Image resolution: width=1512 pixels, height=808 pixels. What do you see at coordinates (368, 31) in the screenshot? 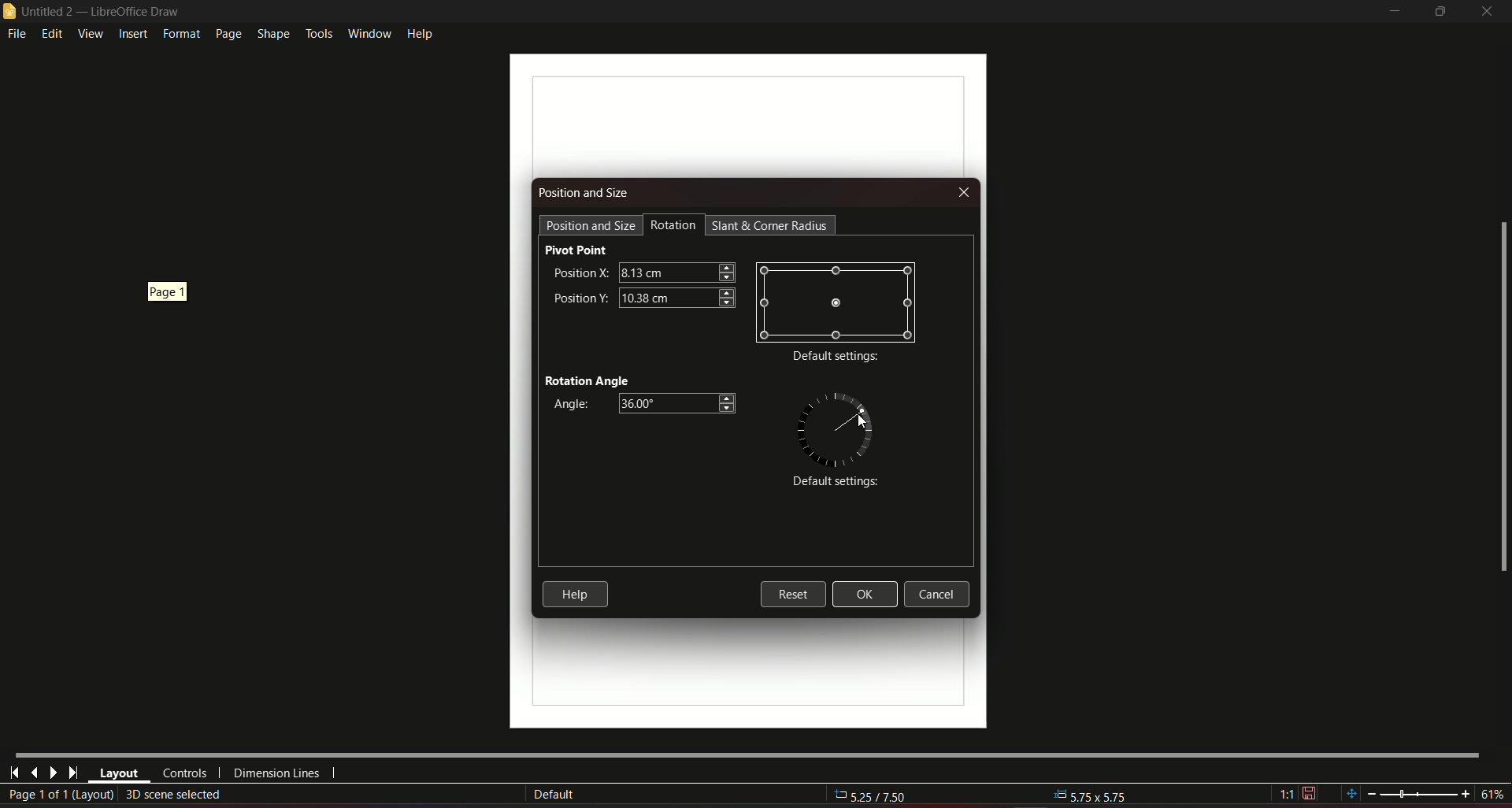
I see `window` at bounding box center [368, 31].